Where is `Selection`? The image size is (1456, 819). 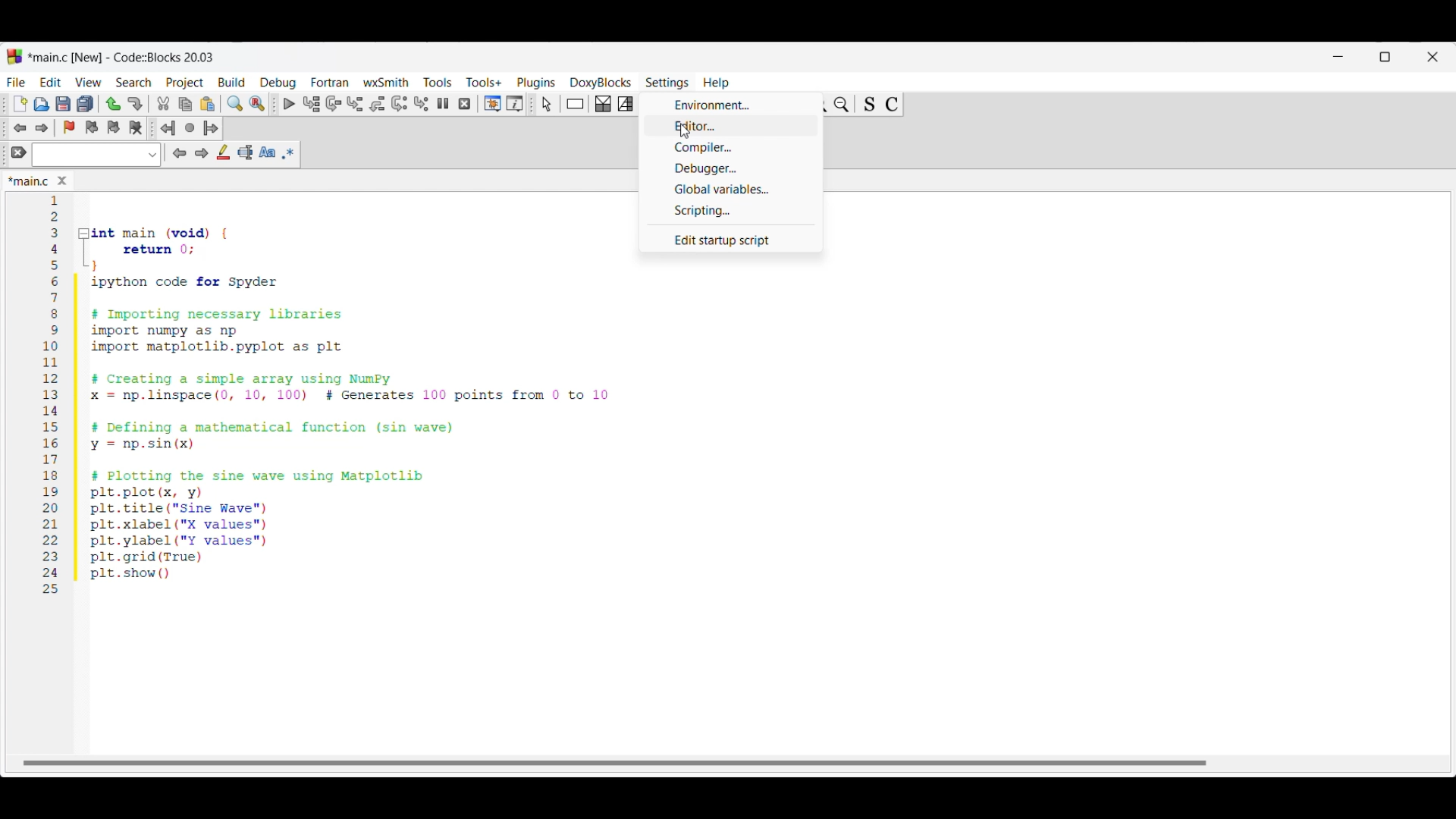
Selection is located at coordinates (626, 104).